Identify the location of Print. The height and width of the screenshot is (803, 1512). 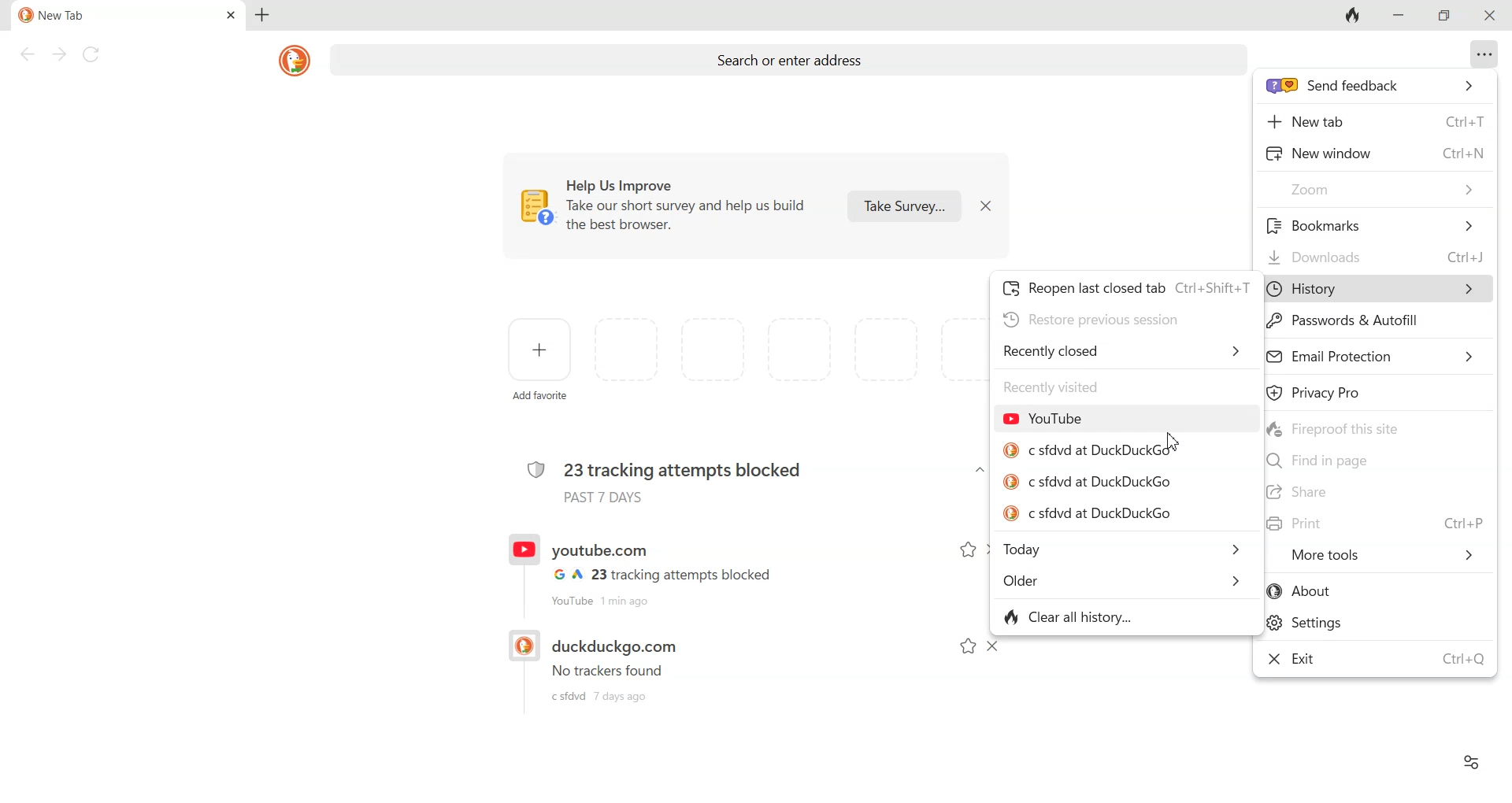
(1376, 523).